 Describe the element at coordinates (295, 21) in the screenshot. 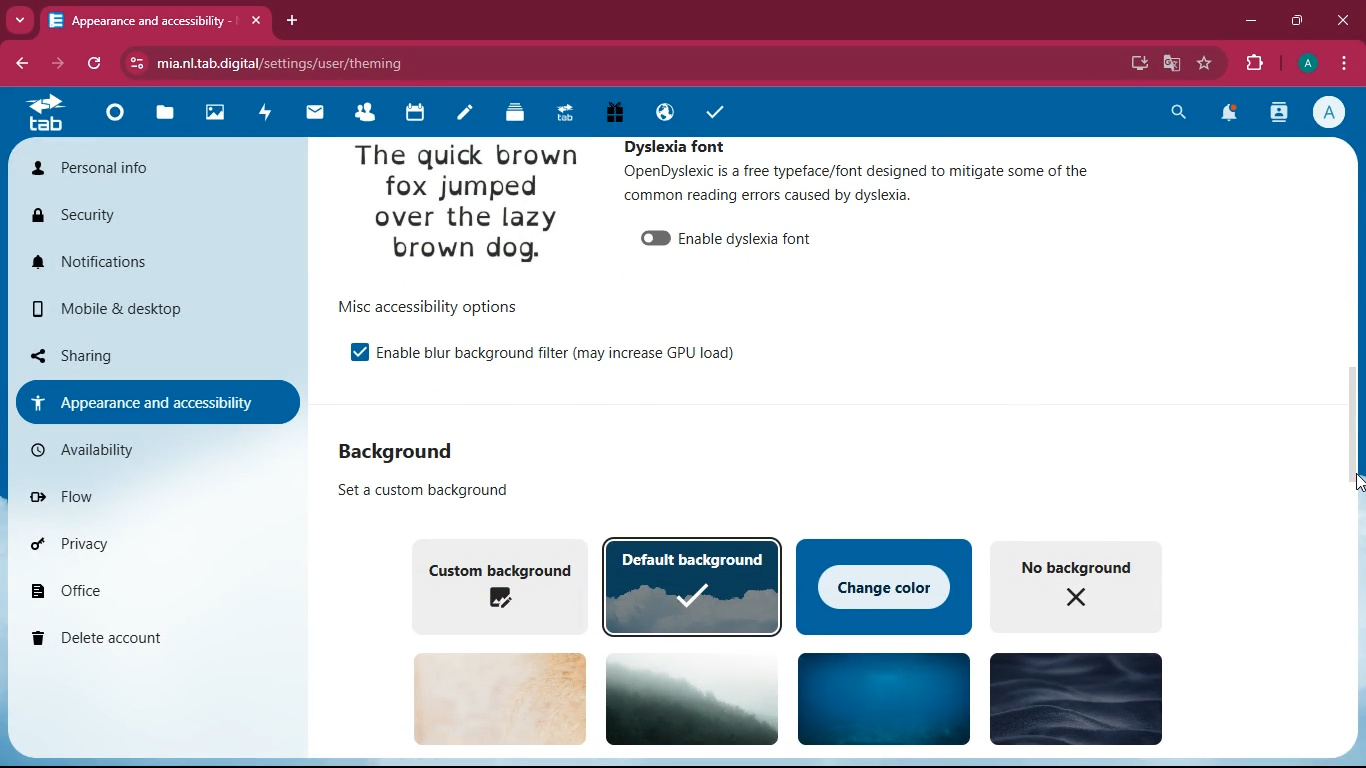

I see `add tab` at that location.